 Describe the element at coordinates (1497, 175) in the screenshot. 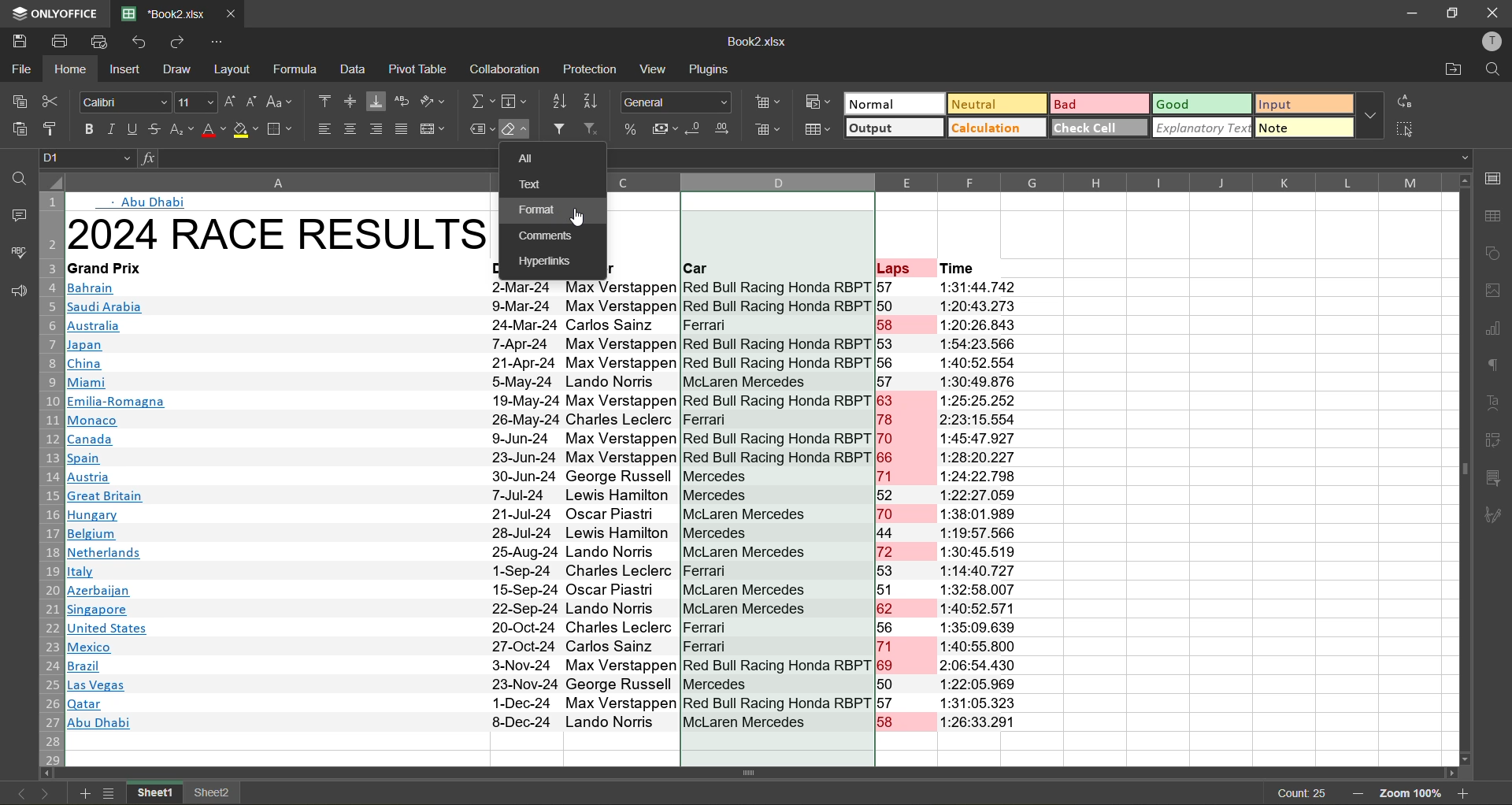

I see `call settings` at that location.